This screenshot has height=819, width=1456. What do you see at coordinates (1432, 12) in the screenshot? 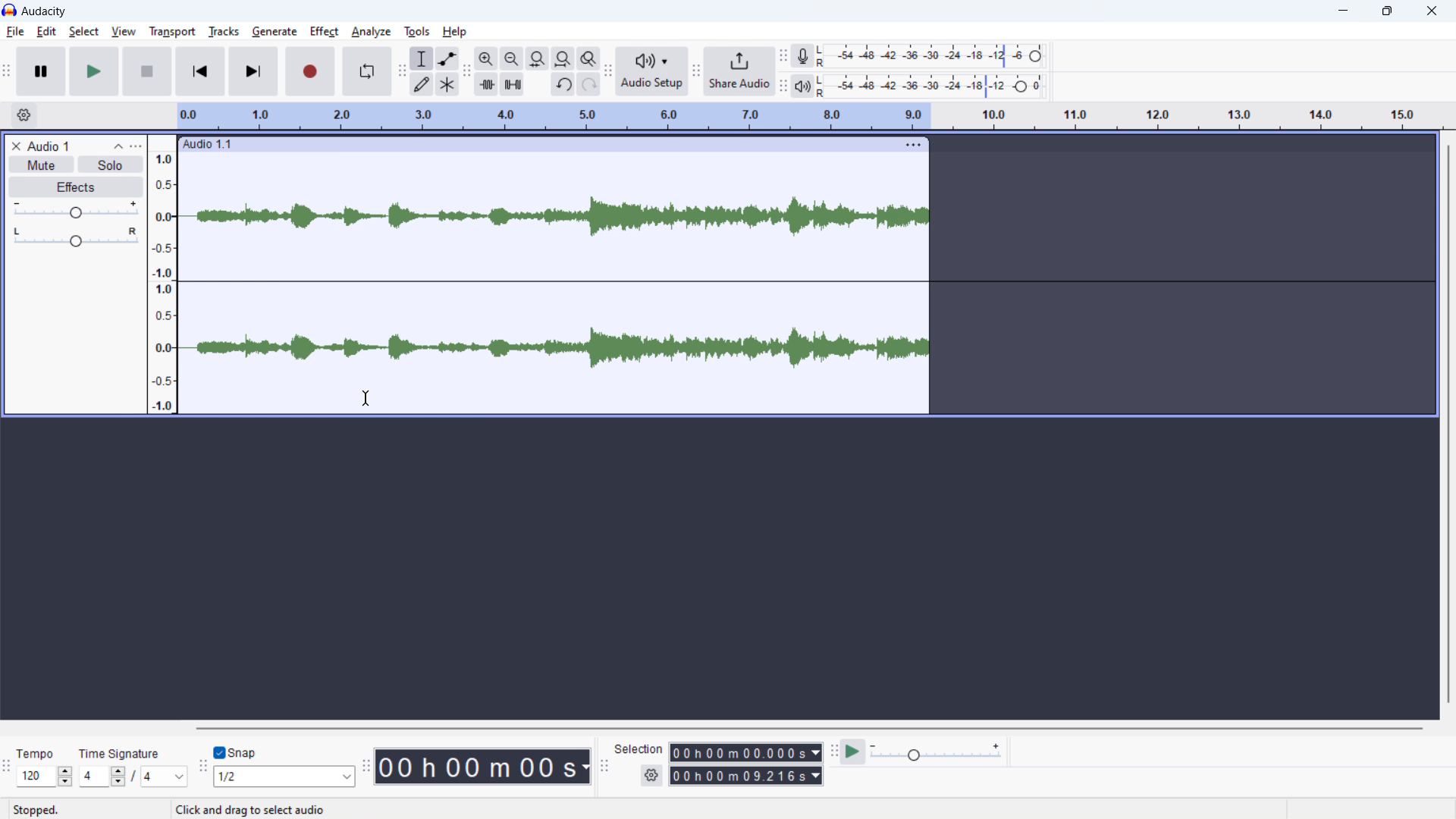
I see `close` at bounding box center [1432, 12].